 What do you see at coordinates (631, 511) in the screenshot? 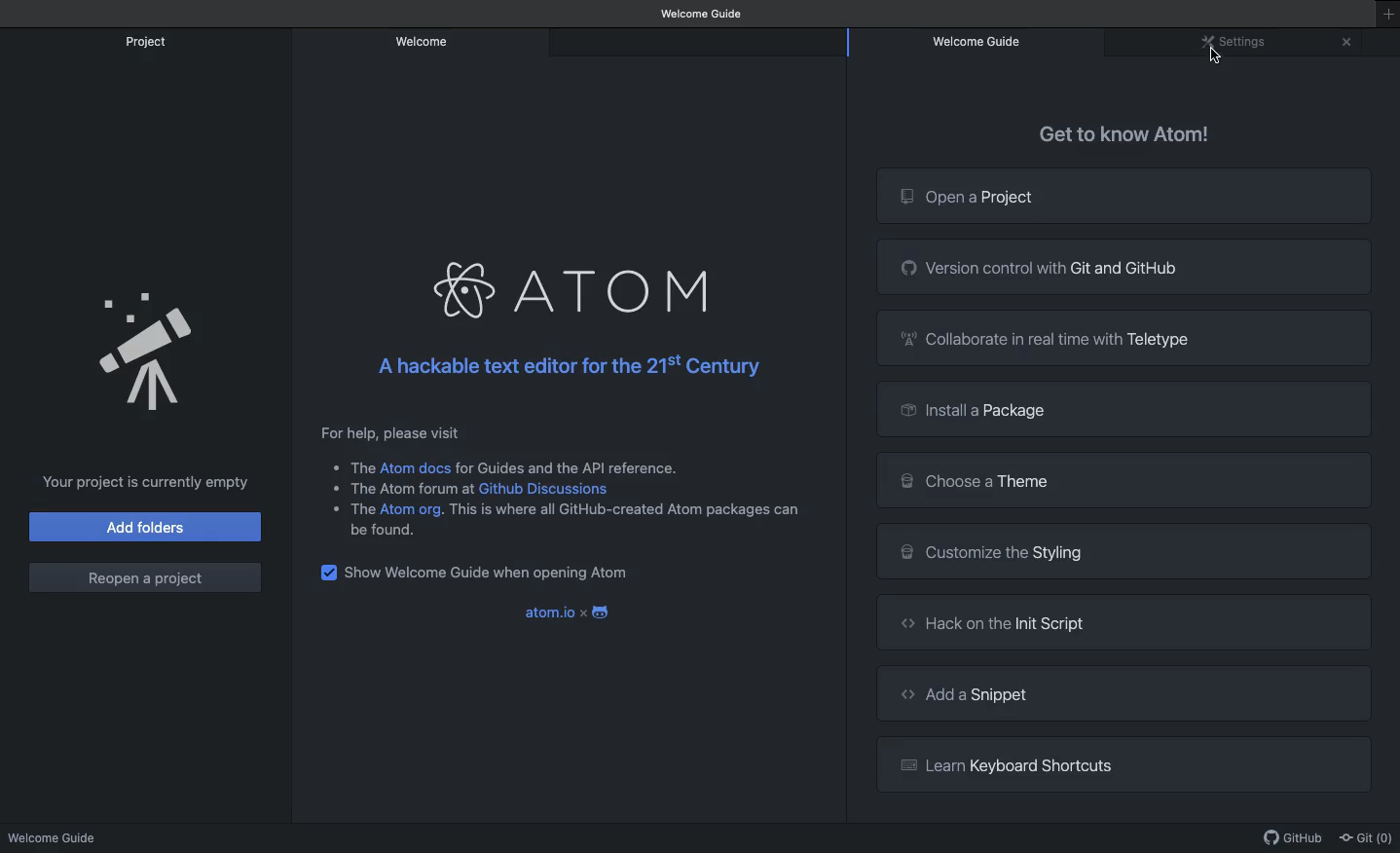
I see `is is where all GitHub-created Atom packages can` at bounding box center [631, 511].